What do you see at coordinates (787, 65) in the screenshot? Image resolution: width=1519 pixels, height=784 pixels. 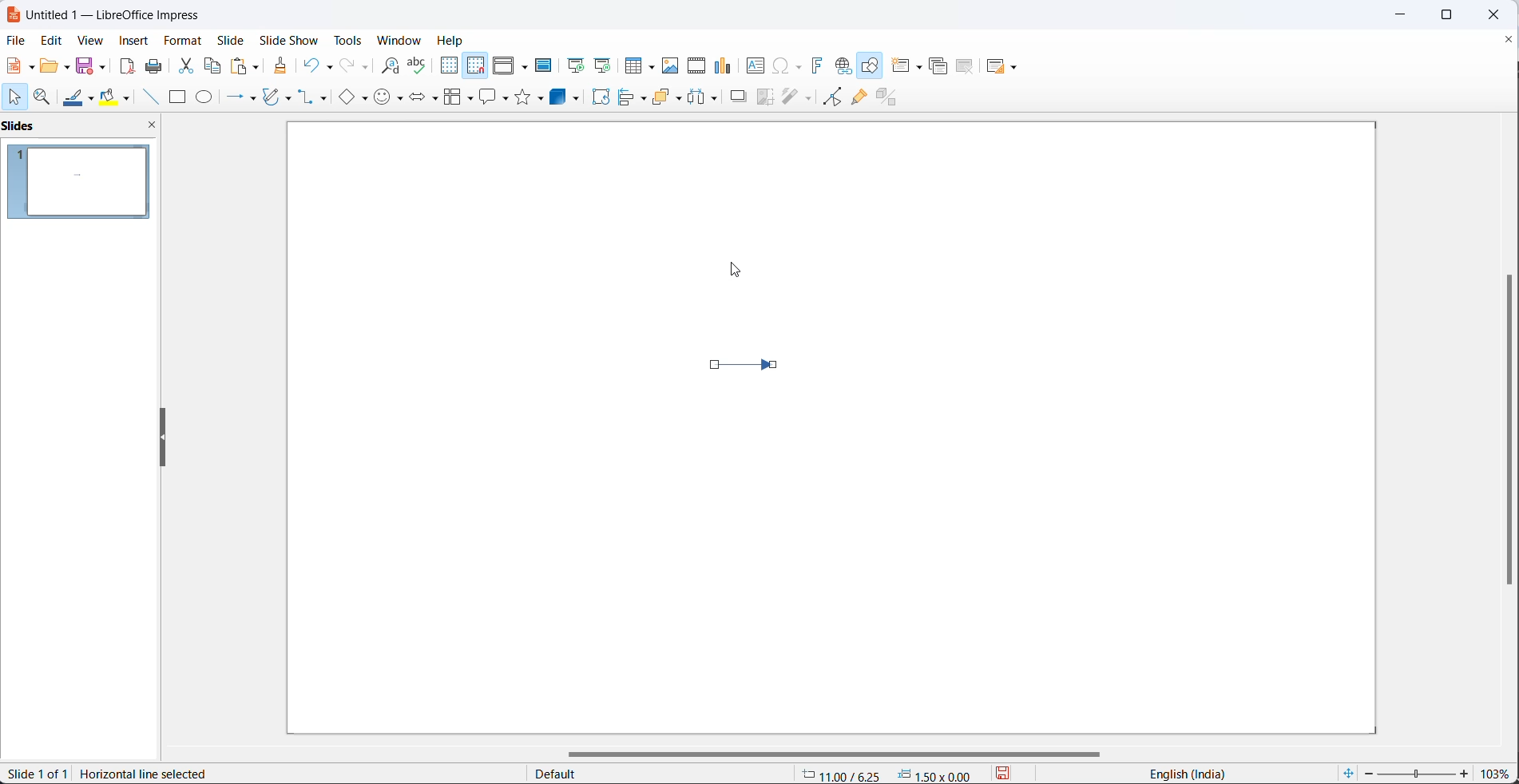 I see `insert special characters` at bounding box center [787, 65].